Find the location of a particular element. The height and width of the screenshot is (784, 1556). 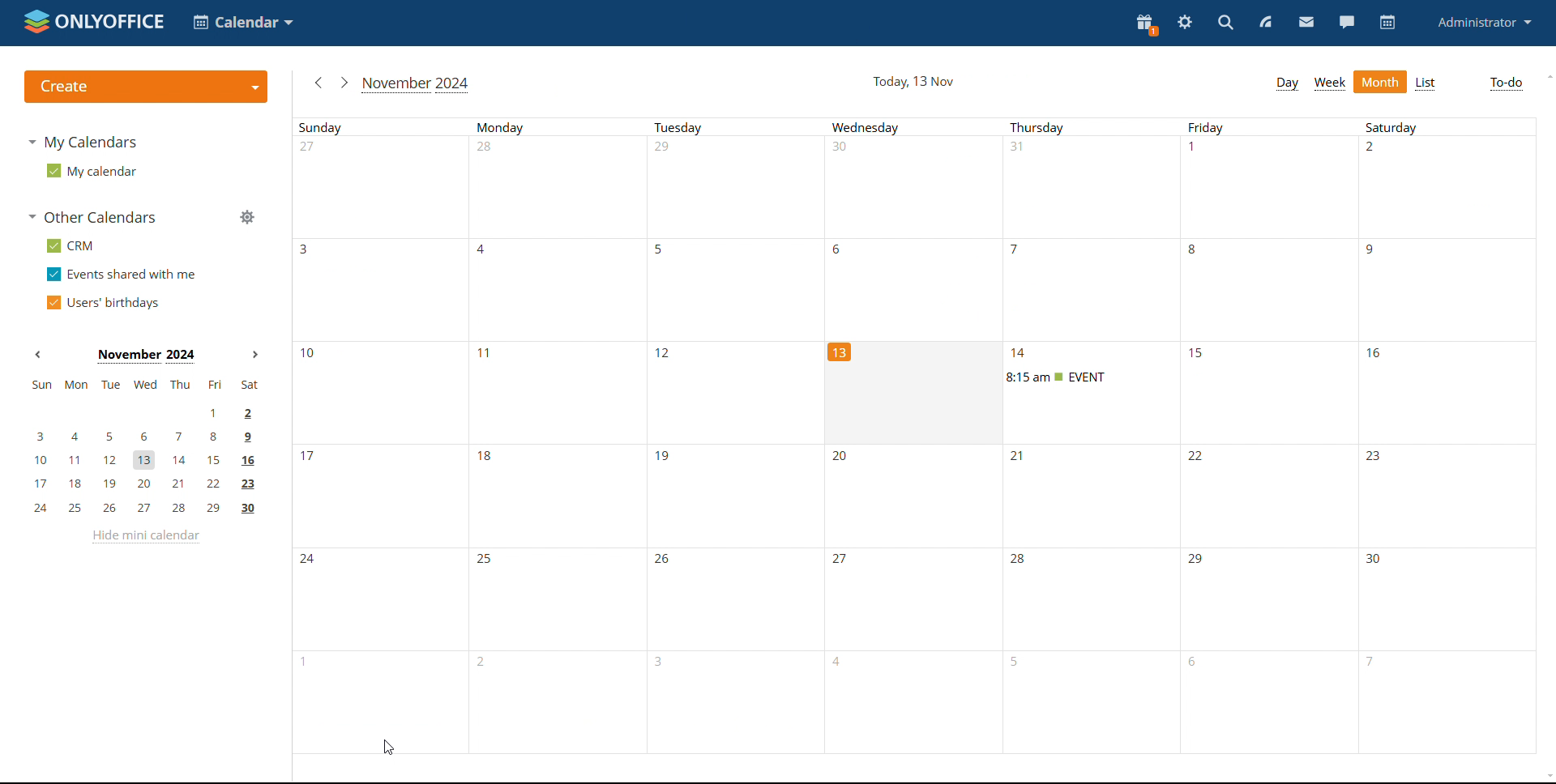

create is located at coordinates (145, 88).